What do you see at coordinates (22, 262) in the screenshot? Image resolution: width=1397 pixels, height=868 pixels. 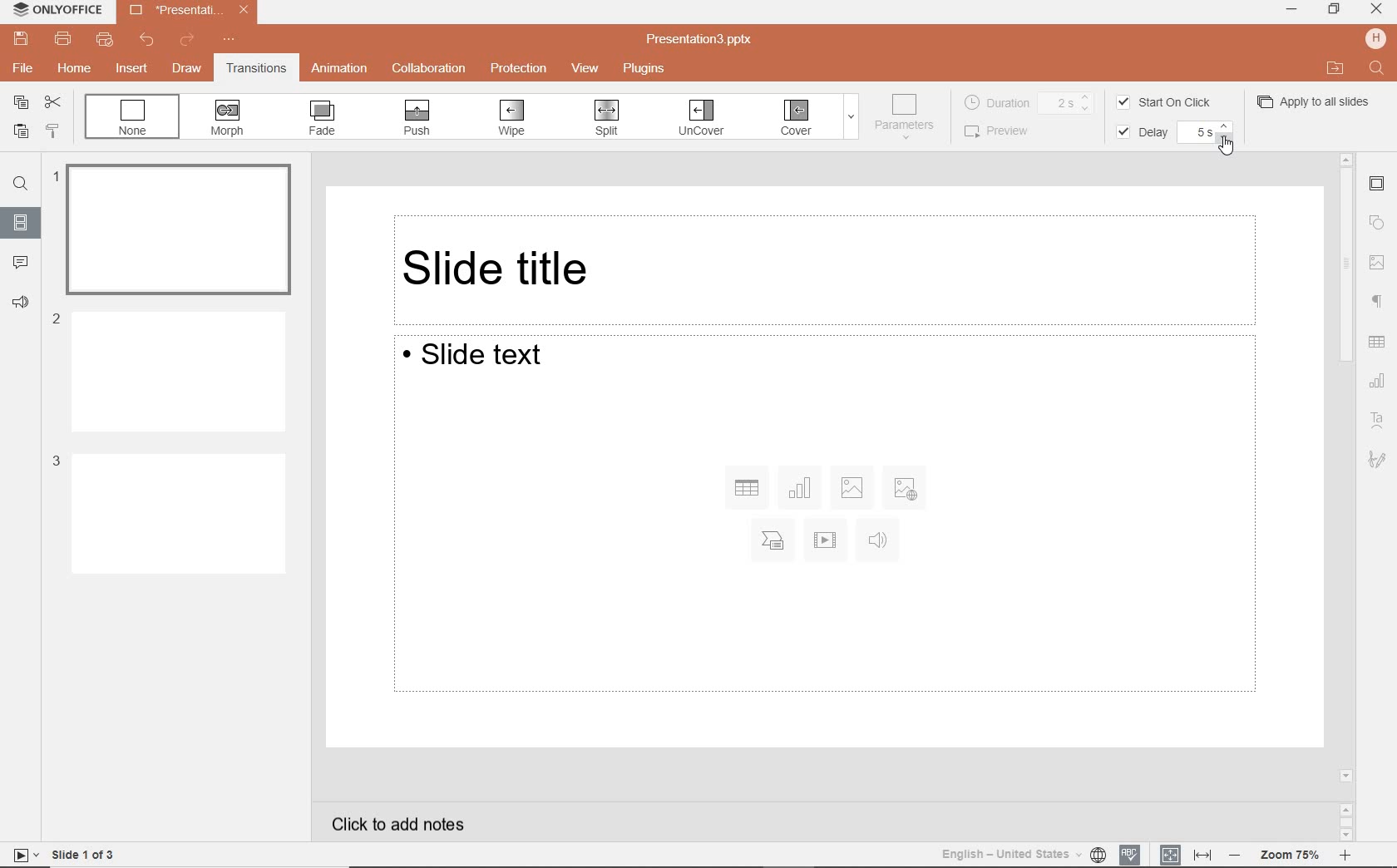 I see `comment` at bounding box center [22, 262].